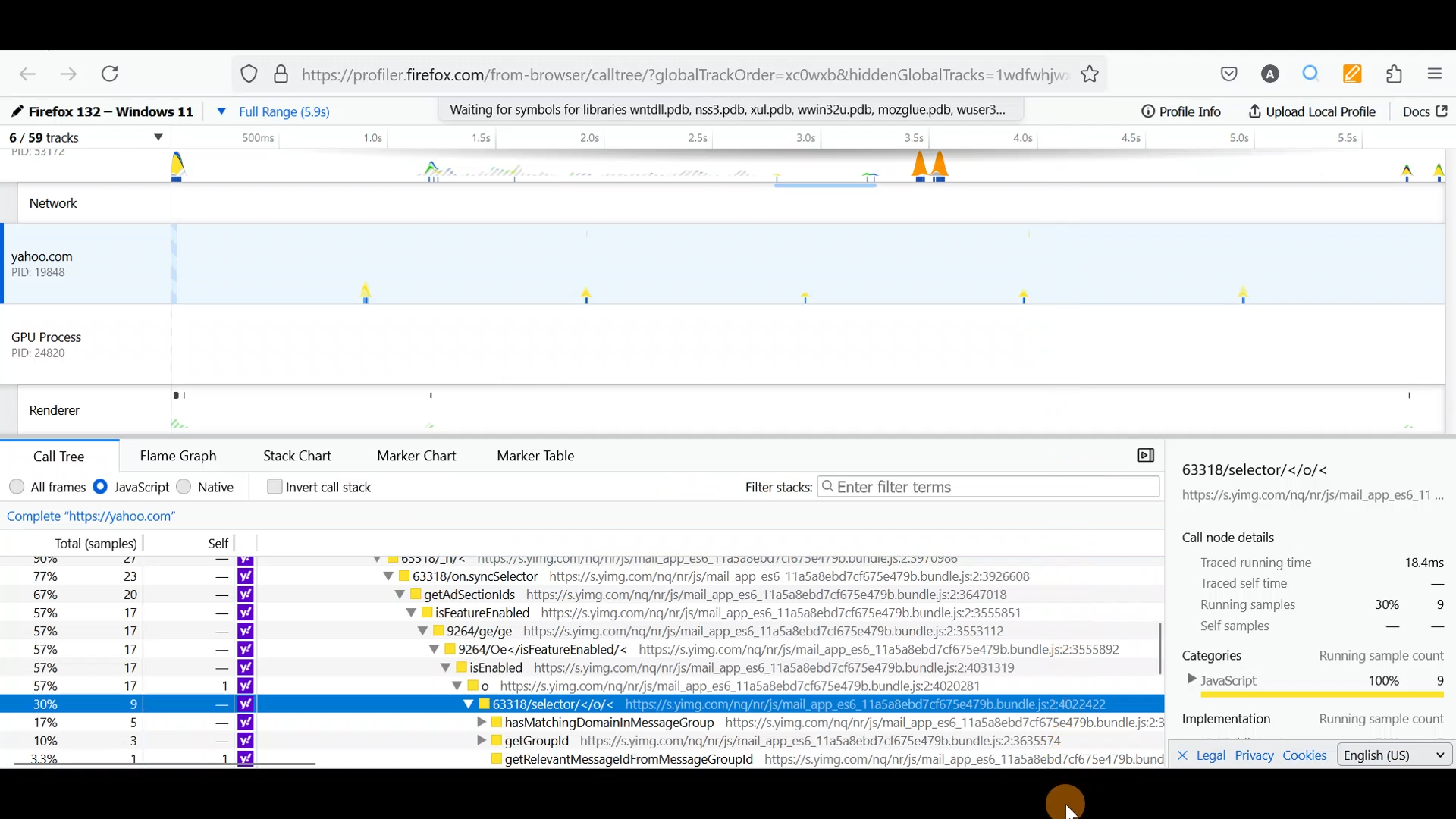  Describe the element at coordinates (1206, 756) in the screenshot. I see `legal` at that location.